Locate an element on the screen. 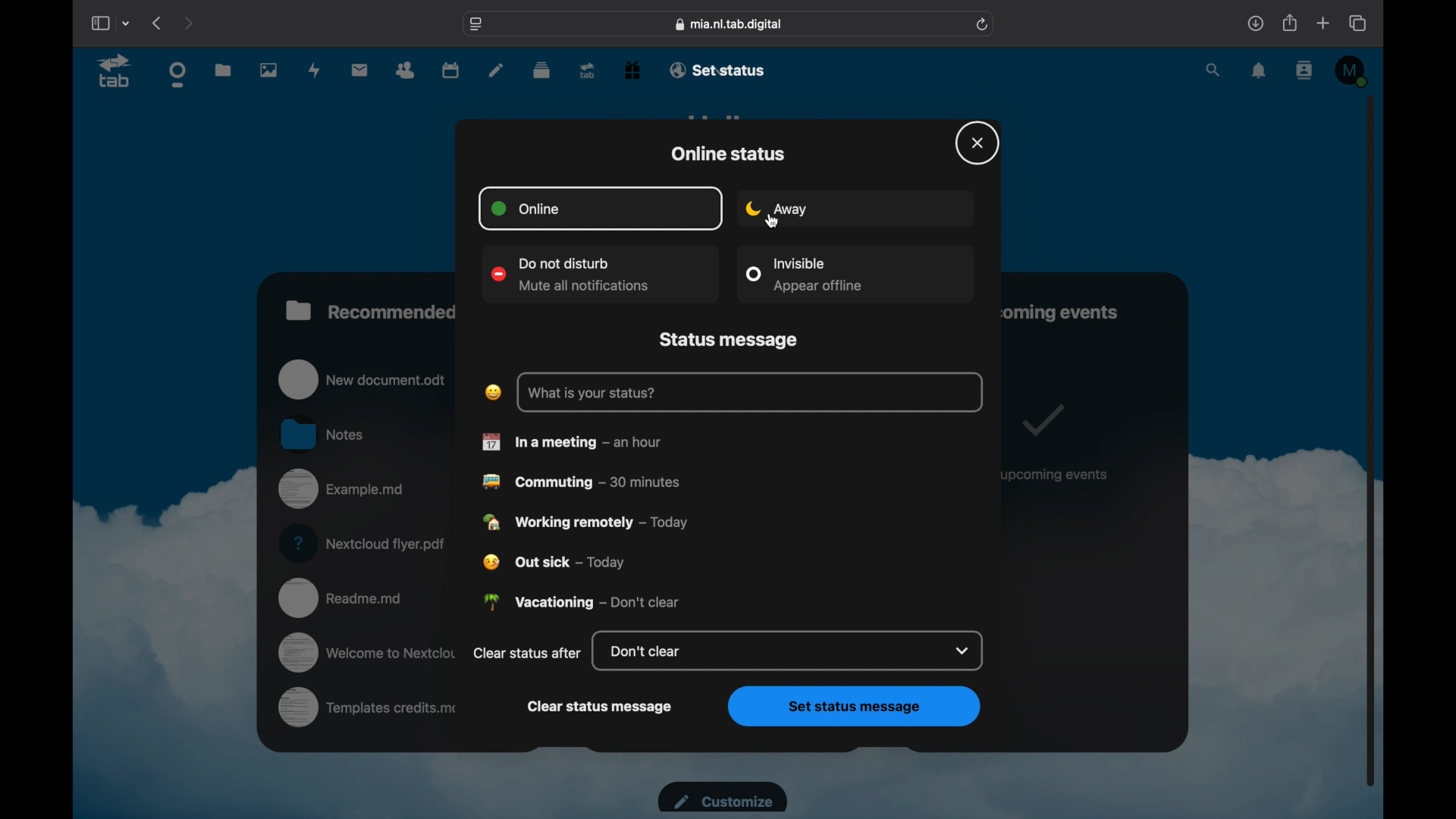  clear status after is located at coordinates (527, 652).